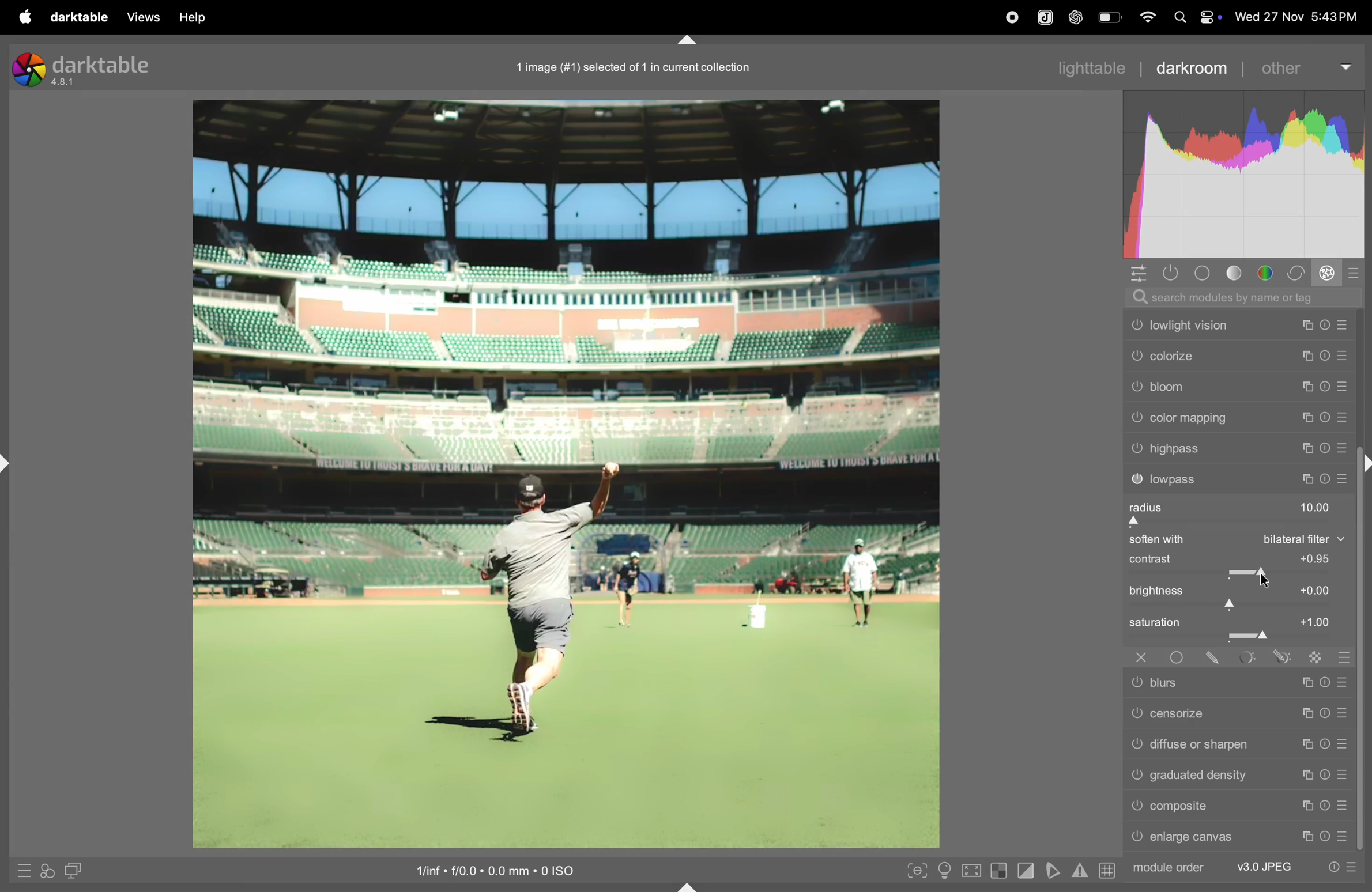 The width and height of the screenshot is (1372, 892). What do you see at coordinates (1363, 466) in the screenshot?
I see `shift+ctrl+r` at bounding box center [1363, 466].